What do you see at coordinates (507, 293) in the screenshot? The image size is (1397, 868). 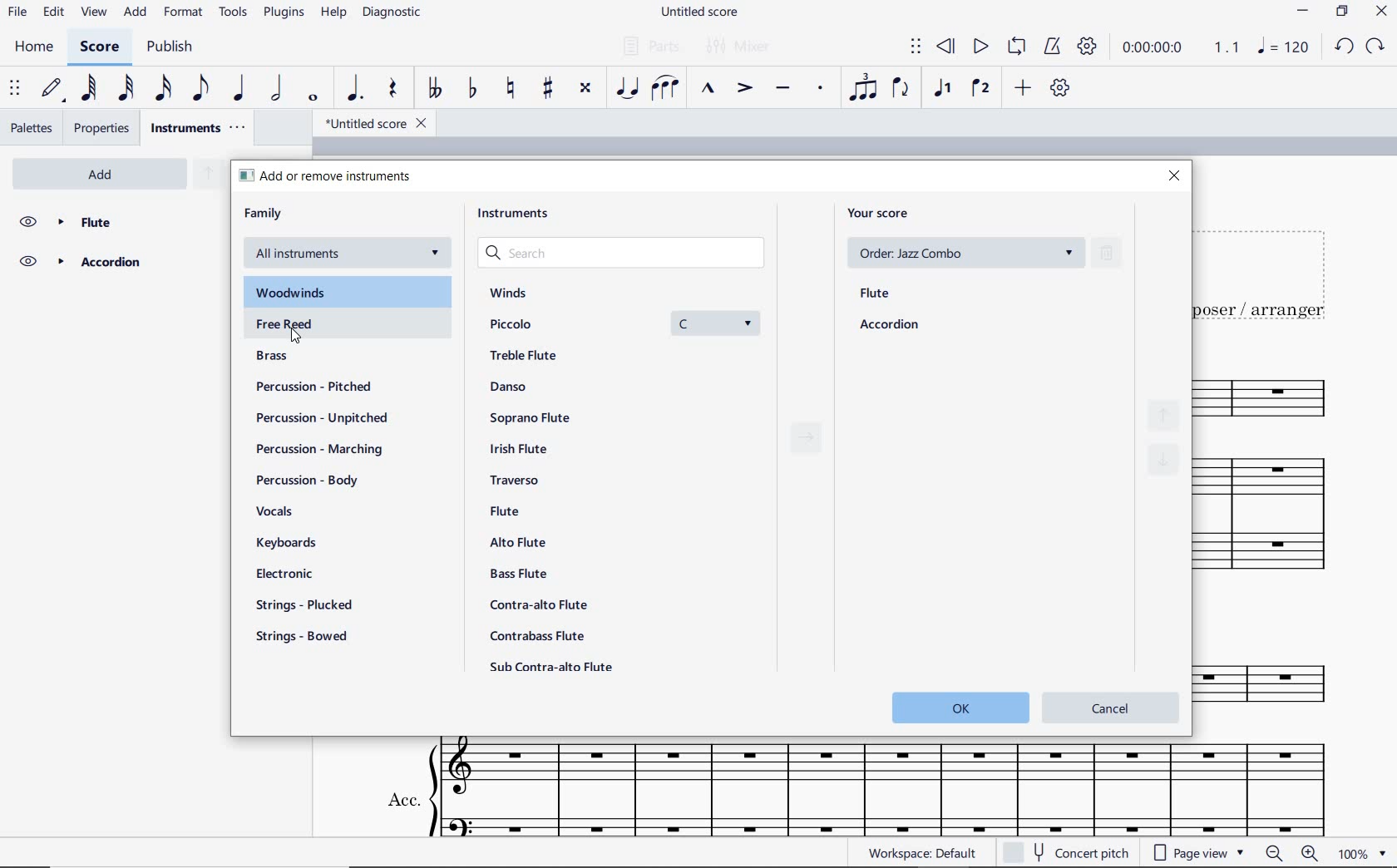 I see `winds` at bounding box center [507, 293].